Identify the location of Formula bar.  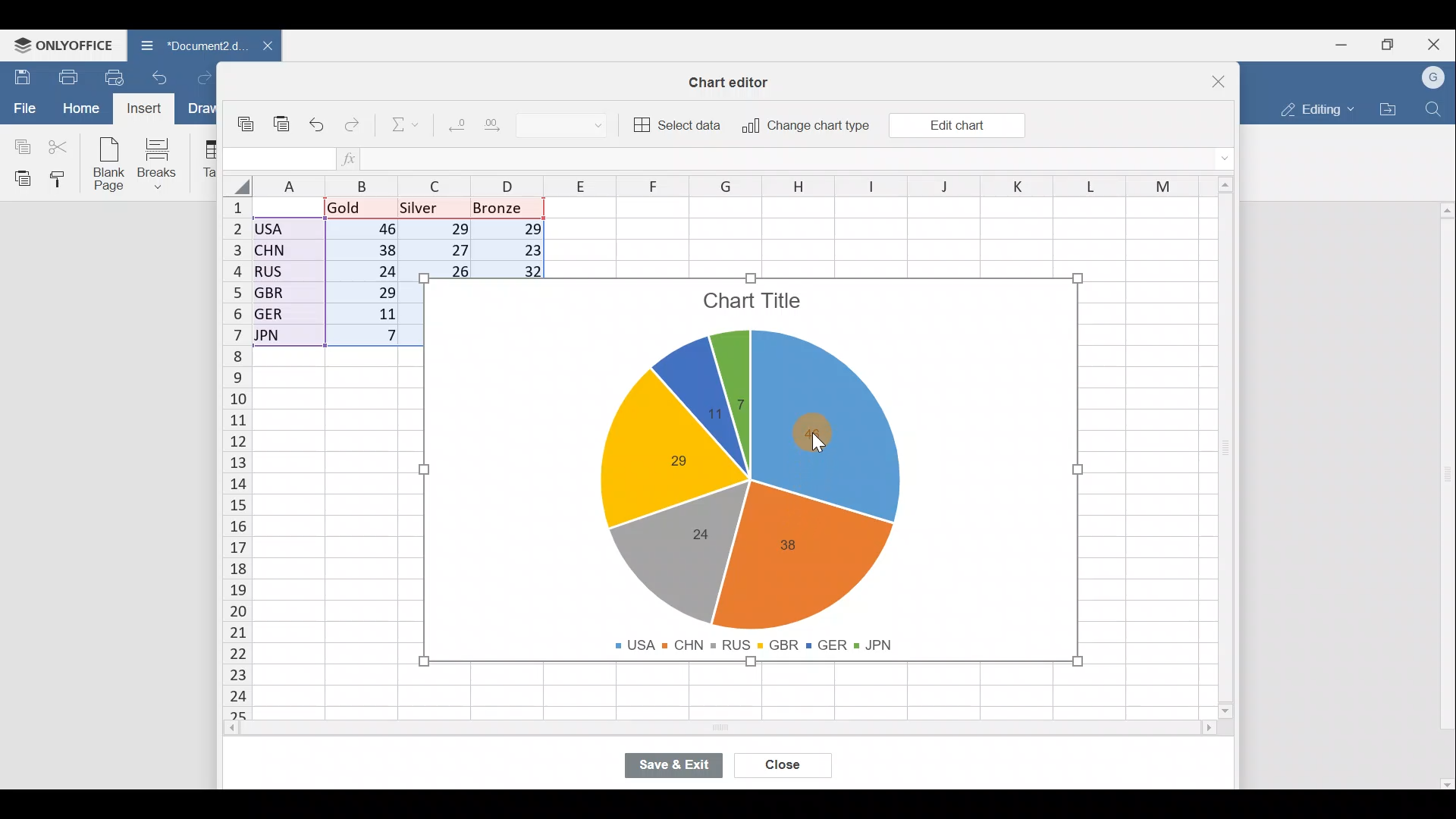
(804, 158).